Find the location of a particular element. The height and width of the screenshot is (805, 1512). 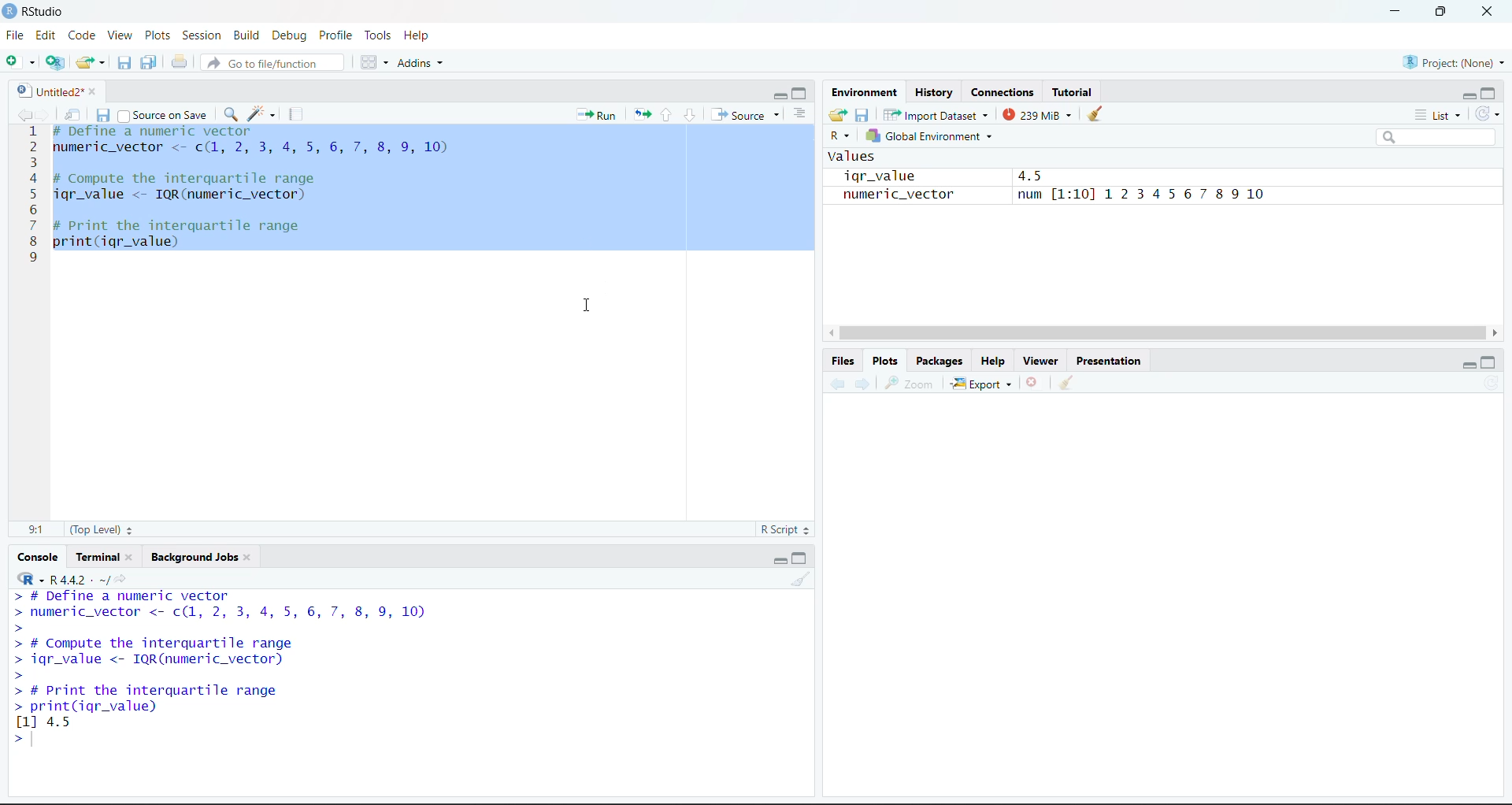

Maximize is located at coordinates (1491, 92).